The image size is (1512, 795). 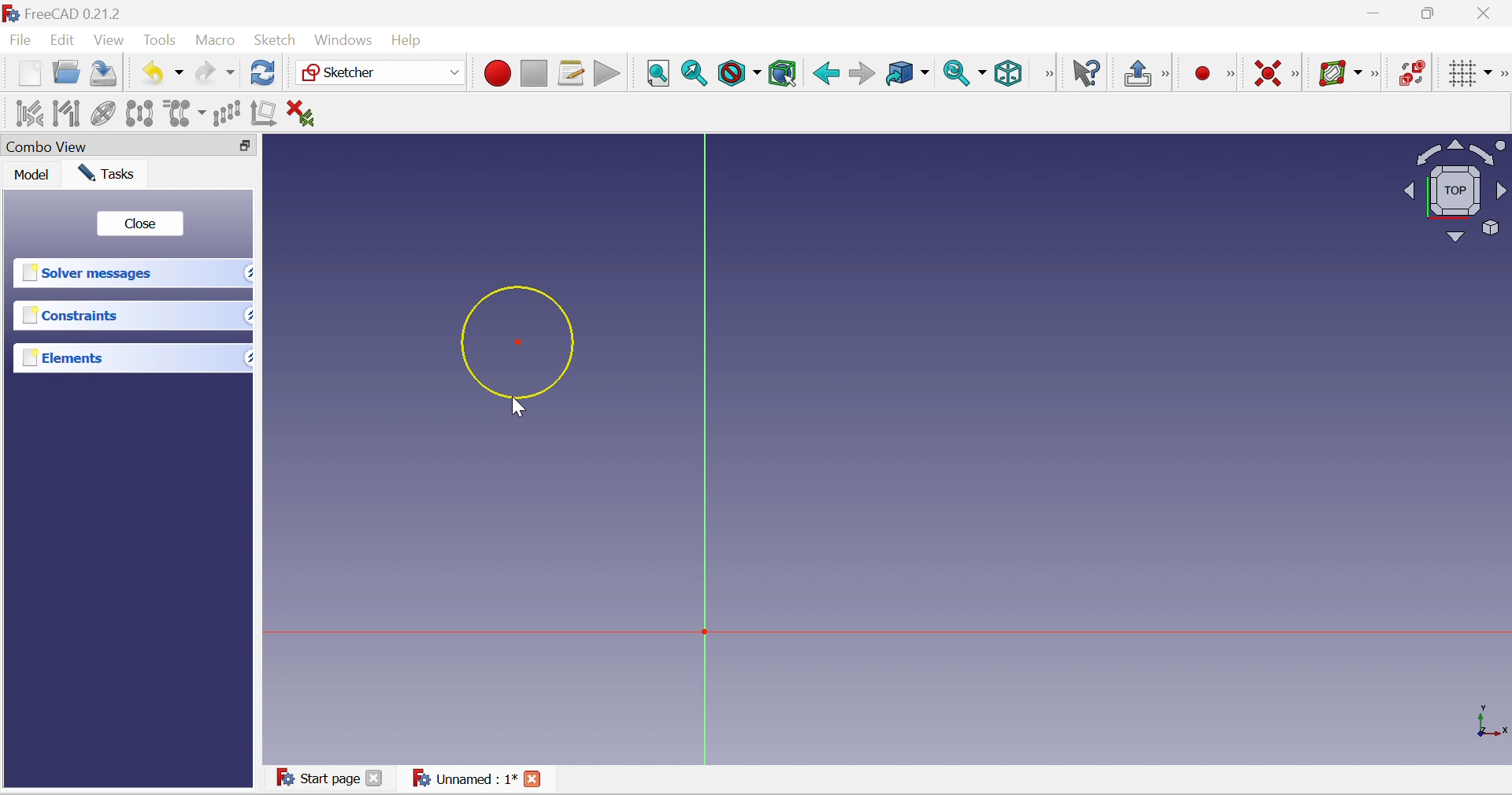 I want to click on [Sketcher geometries], so click(x=1229, y=72).